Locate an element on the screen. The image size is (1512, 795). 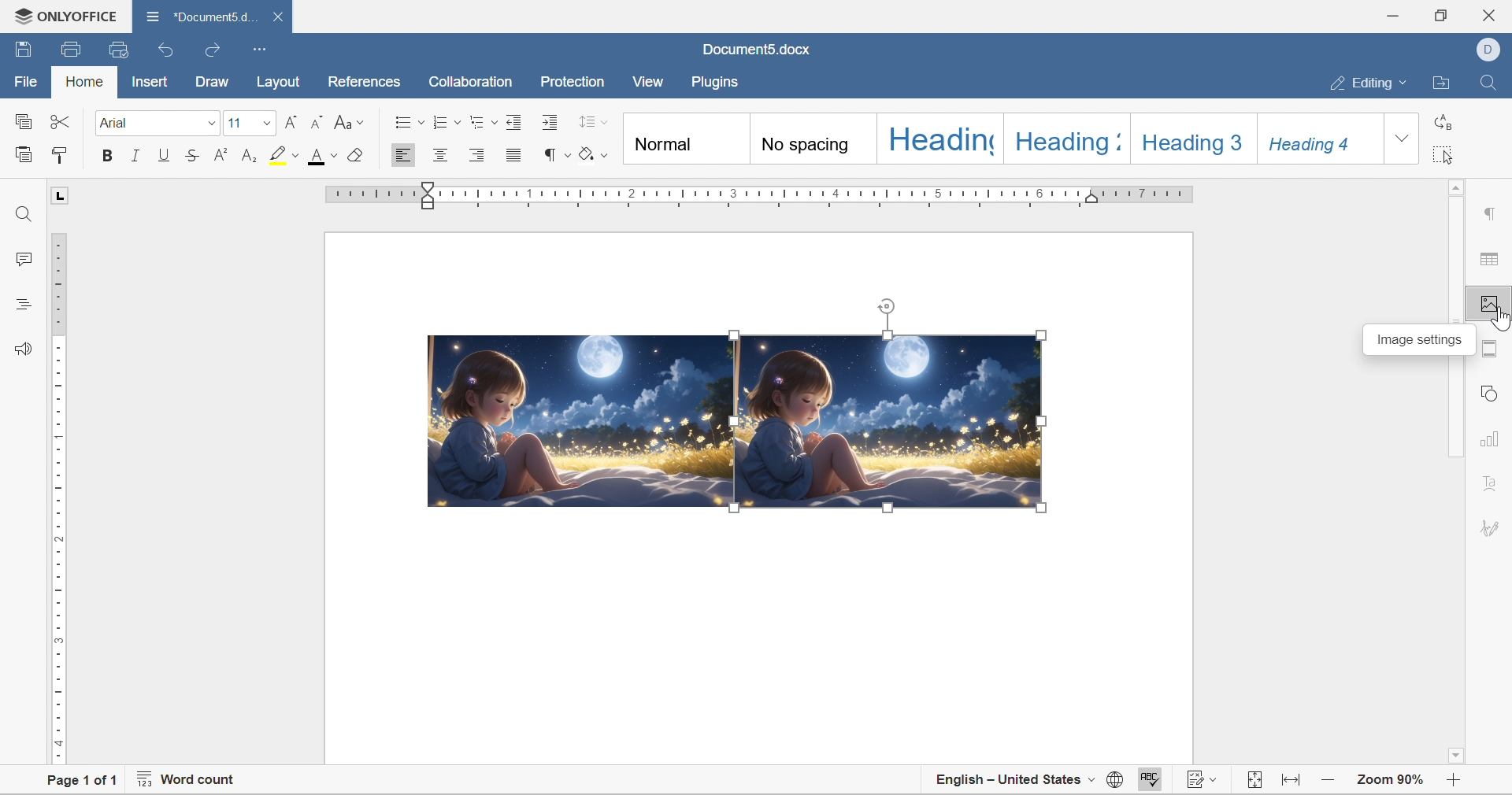
header and foot settings is located at coordinates (1491, 348).